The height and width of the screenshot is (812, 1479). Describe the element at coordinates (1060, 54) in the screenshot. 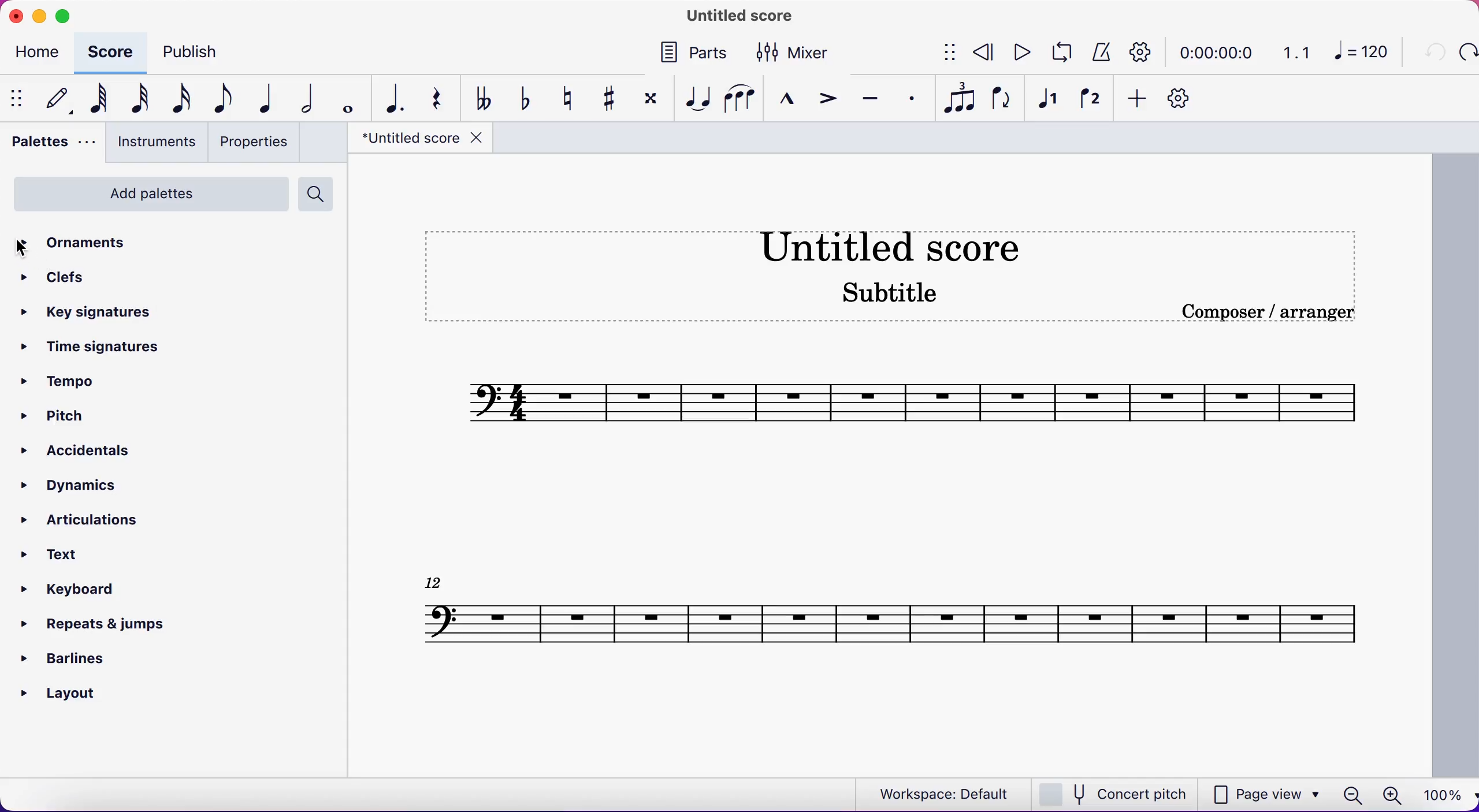

I see `playback loop` at that location.